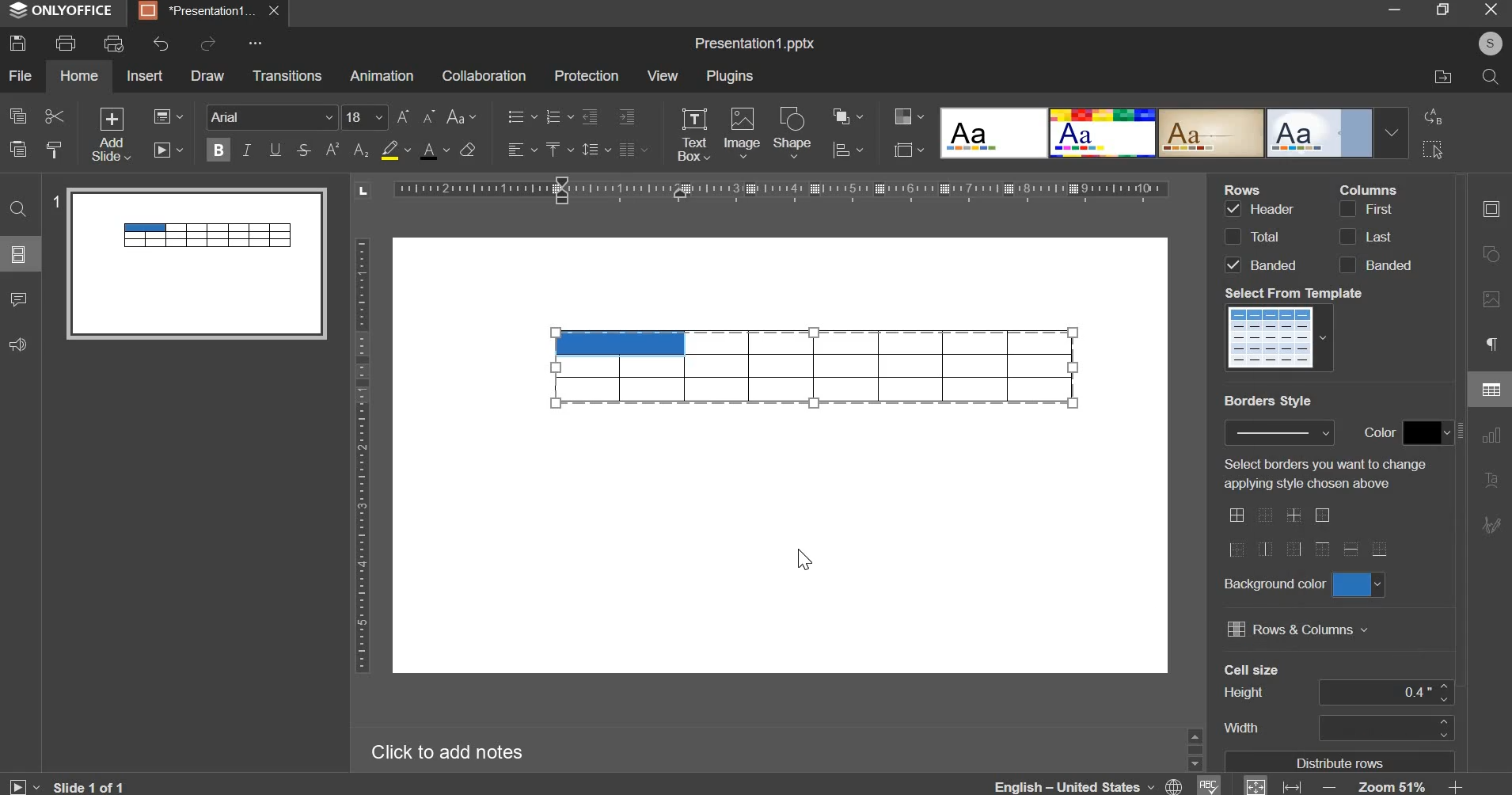 This screenshot has width=1512, height=795. I want to click on decrease indent, so click(589, 116).